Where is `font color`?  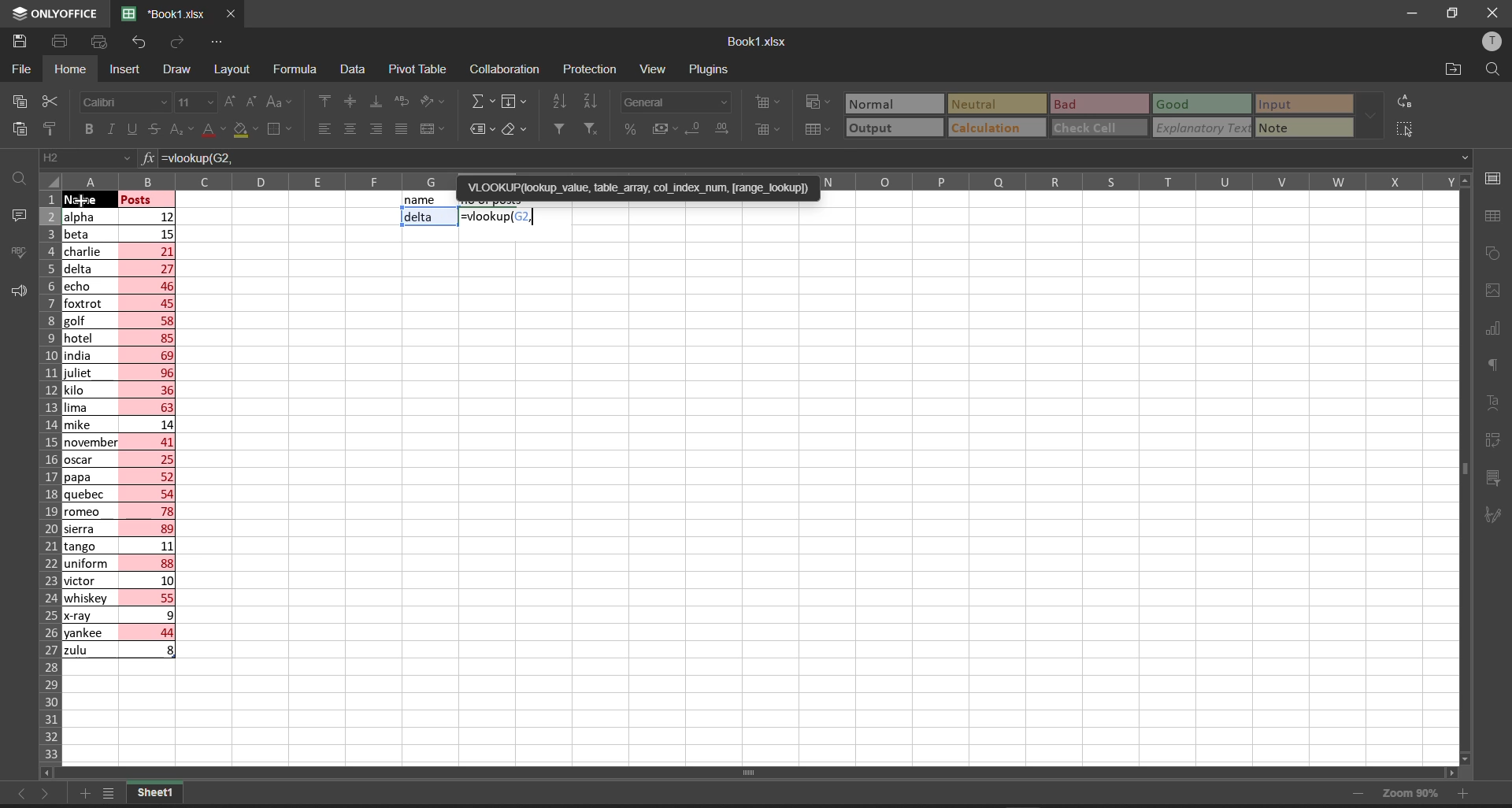
font color is located at coordinates (212, 129).